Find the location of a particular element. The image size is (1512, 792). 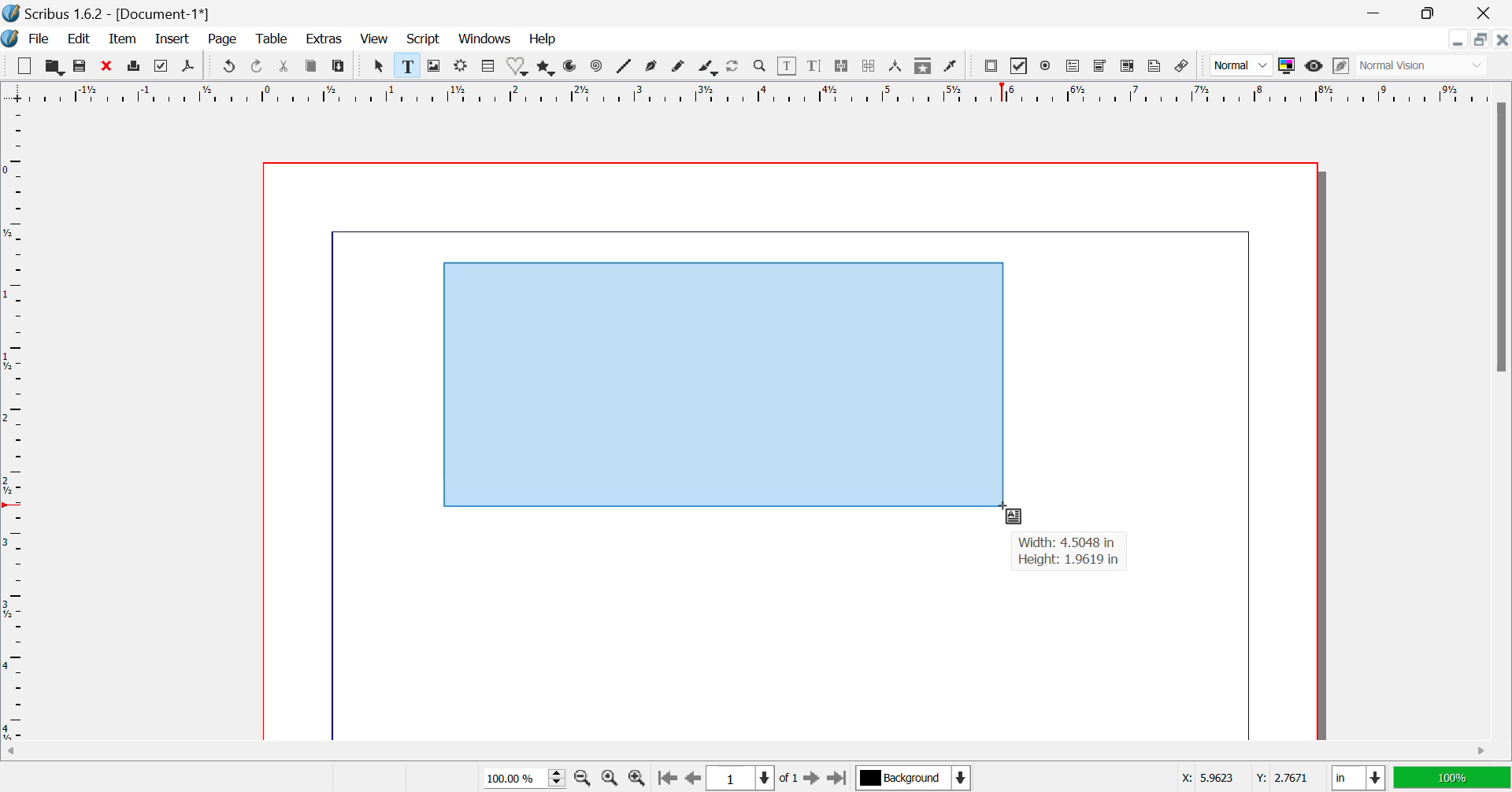

Pdf Radio button is located at coordinates (1048, 66).